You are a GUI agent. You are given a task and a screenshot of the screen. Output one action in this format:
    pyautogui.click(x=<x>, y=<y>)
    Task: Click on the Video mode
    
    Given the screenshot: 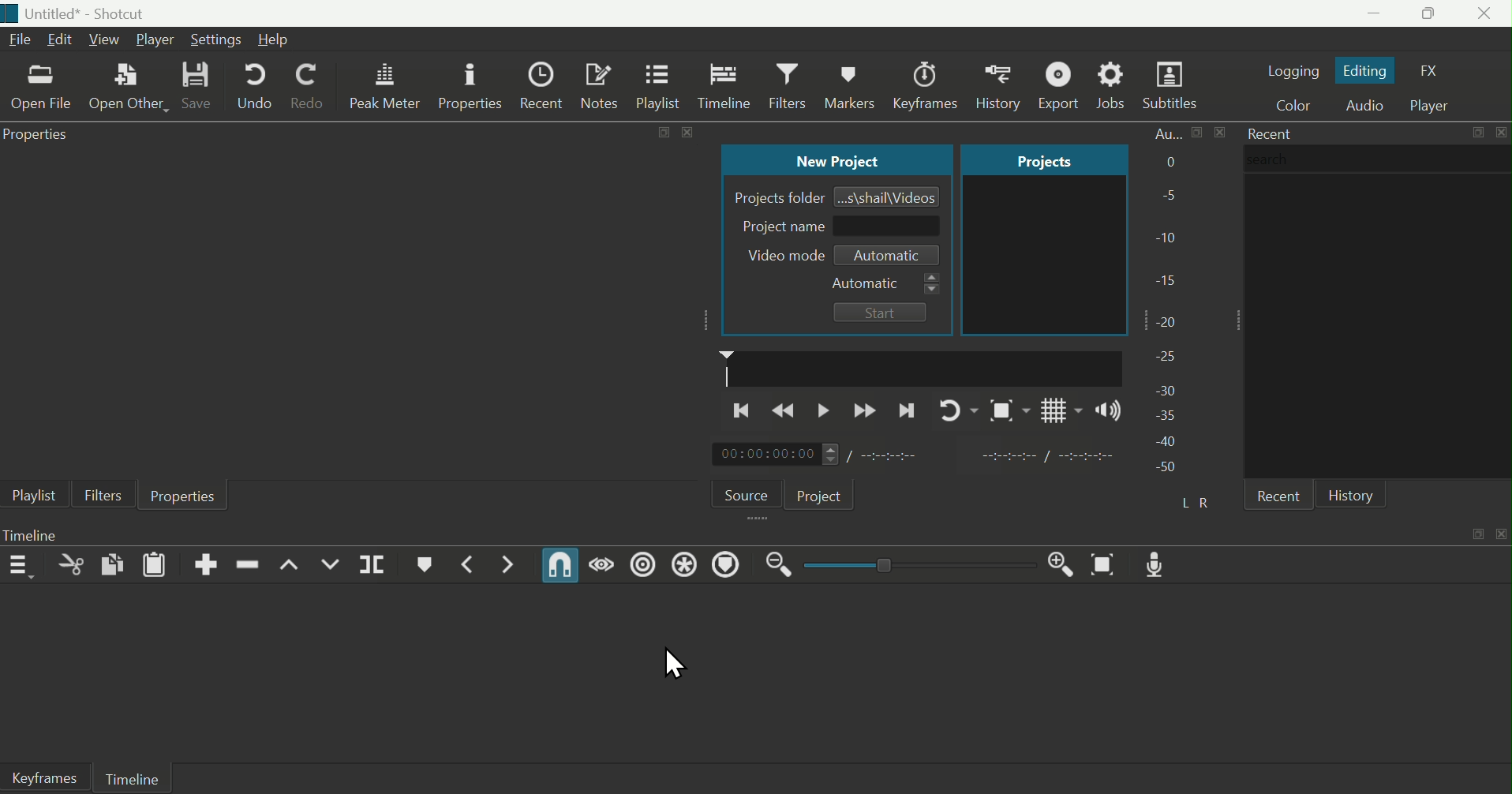 What is the action you would take?
    pyautogui.click(x=780, y=256)
    